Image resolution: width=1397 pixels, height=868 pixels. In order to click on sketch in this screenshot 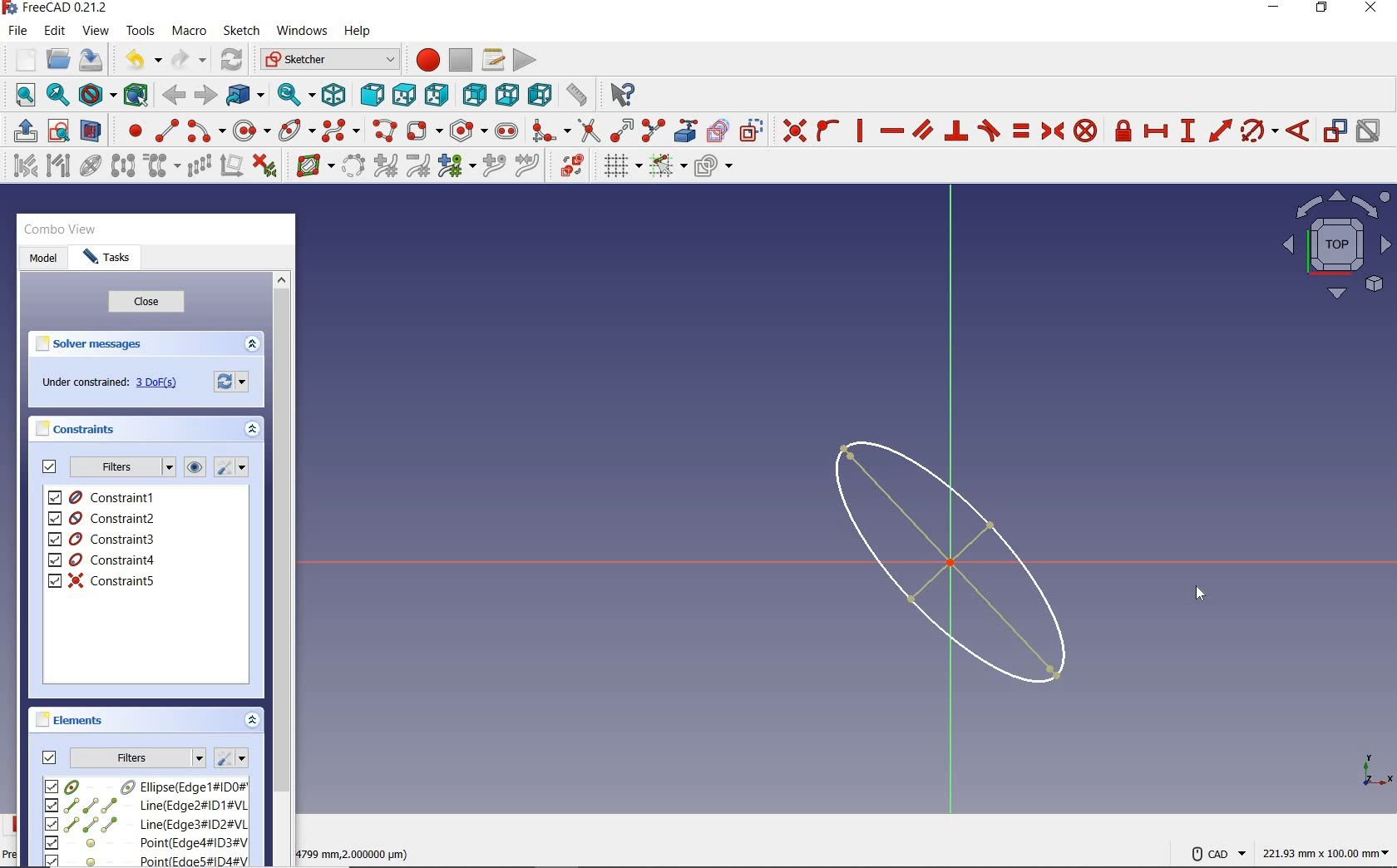, I will do `click(240, 31)`.